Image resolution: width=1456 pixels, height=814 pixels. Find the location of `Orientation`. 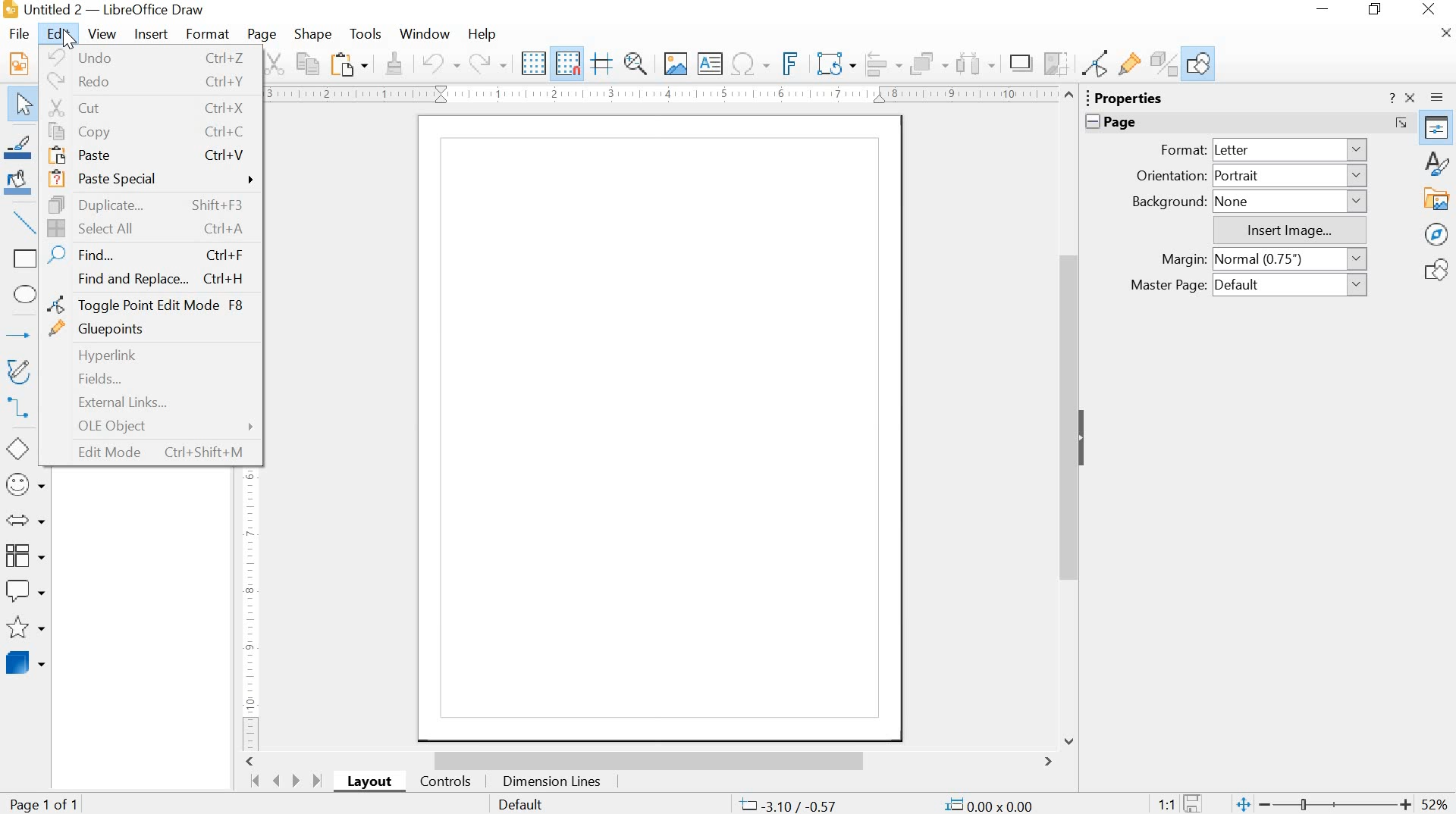

Orientation is located at coordinates (1170, 176).